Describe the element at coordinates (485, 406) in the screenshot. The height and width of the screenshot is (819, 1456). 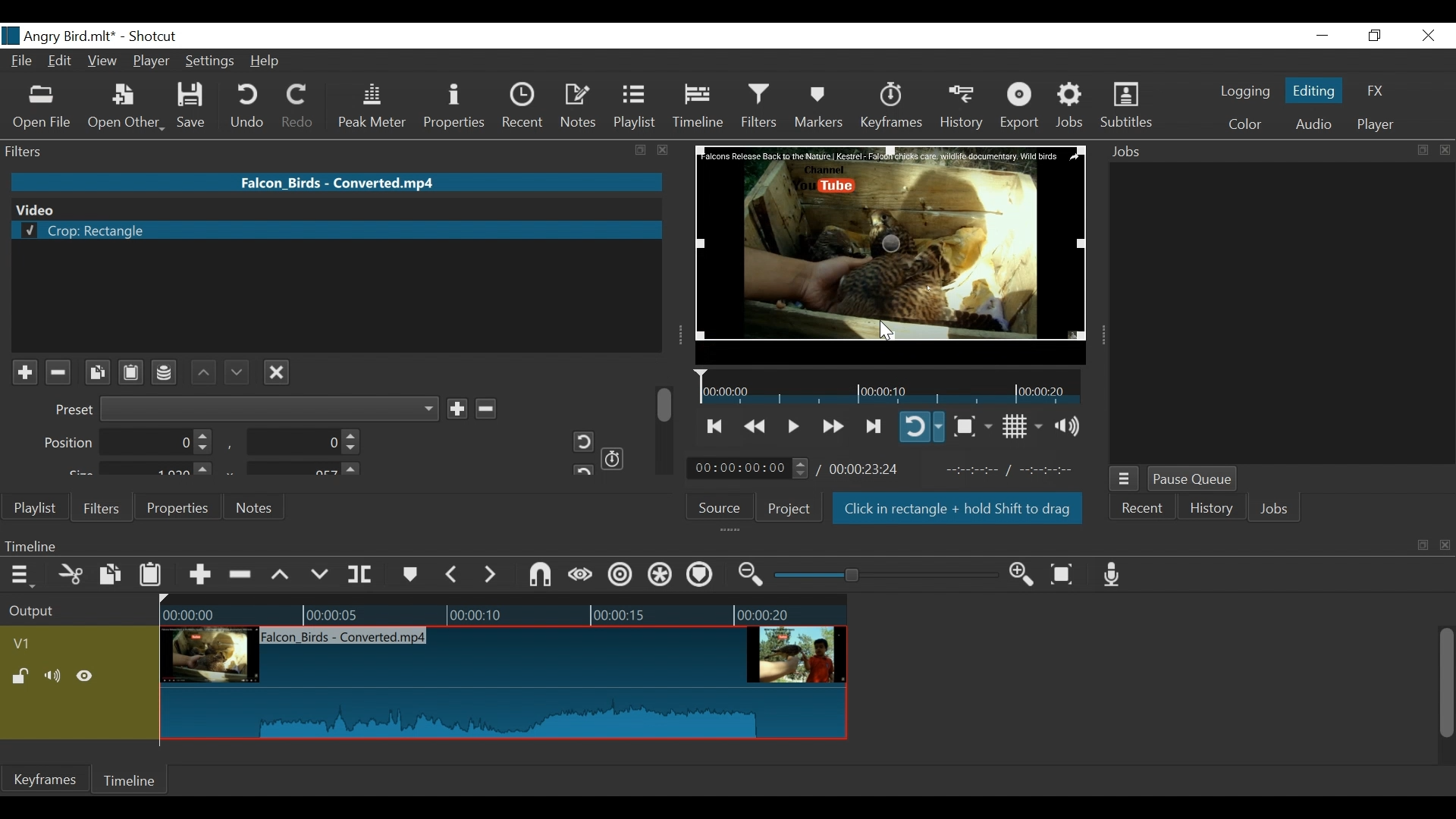
I see `Minus` at that location.